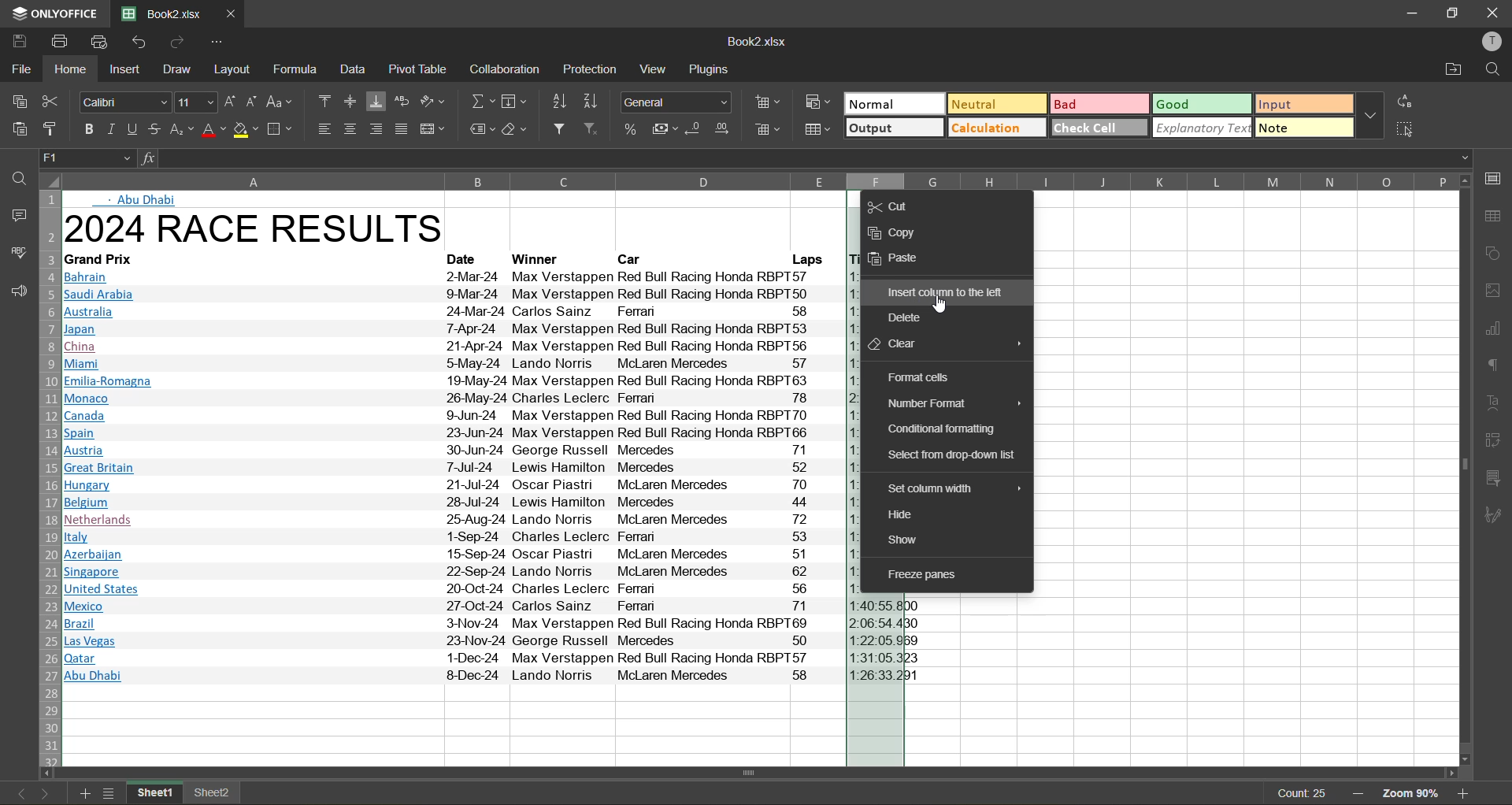 Image resolution: width=1512 pixels, height=805 pixels. What do you see at coordinates (1465, 465) in the screenshot?
I see `vertical scrollbar` at bounding box center [1465, 465].